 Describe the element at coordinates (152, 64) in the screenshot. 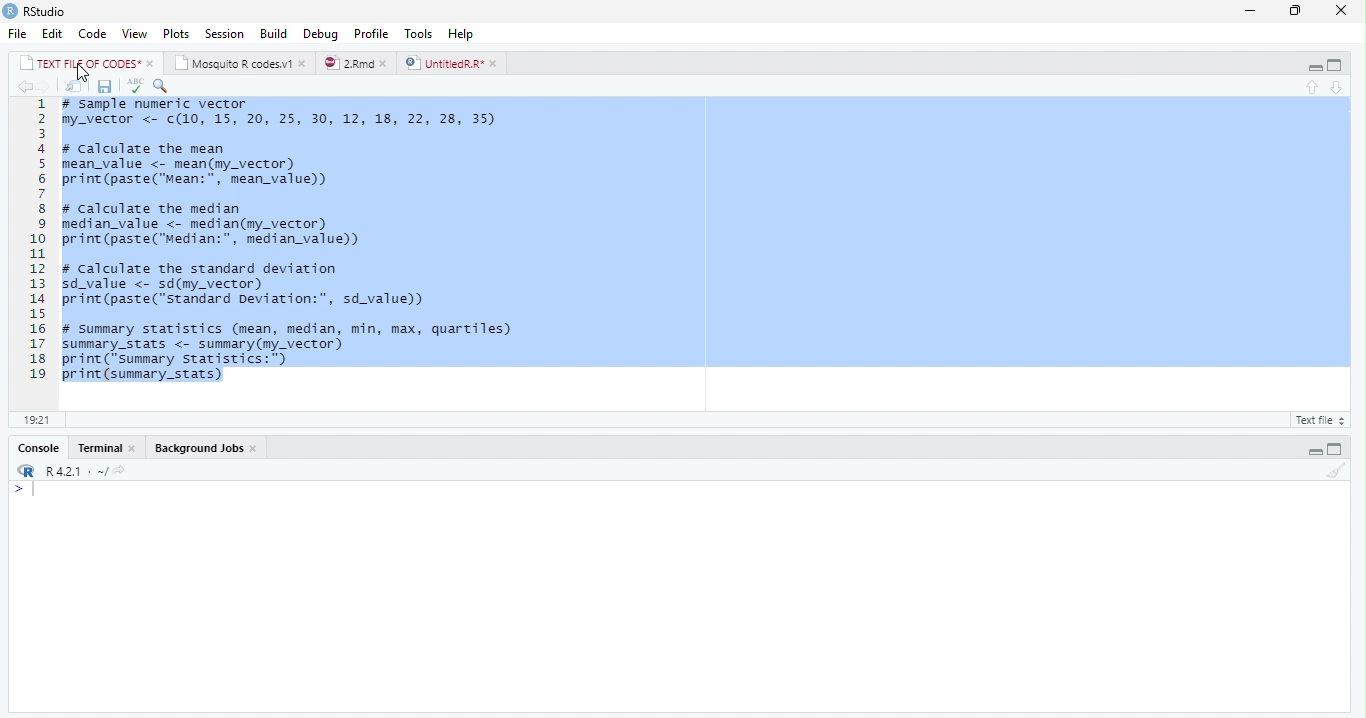

I see `close` at that location.